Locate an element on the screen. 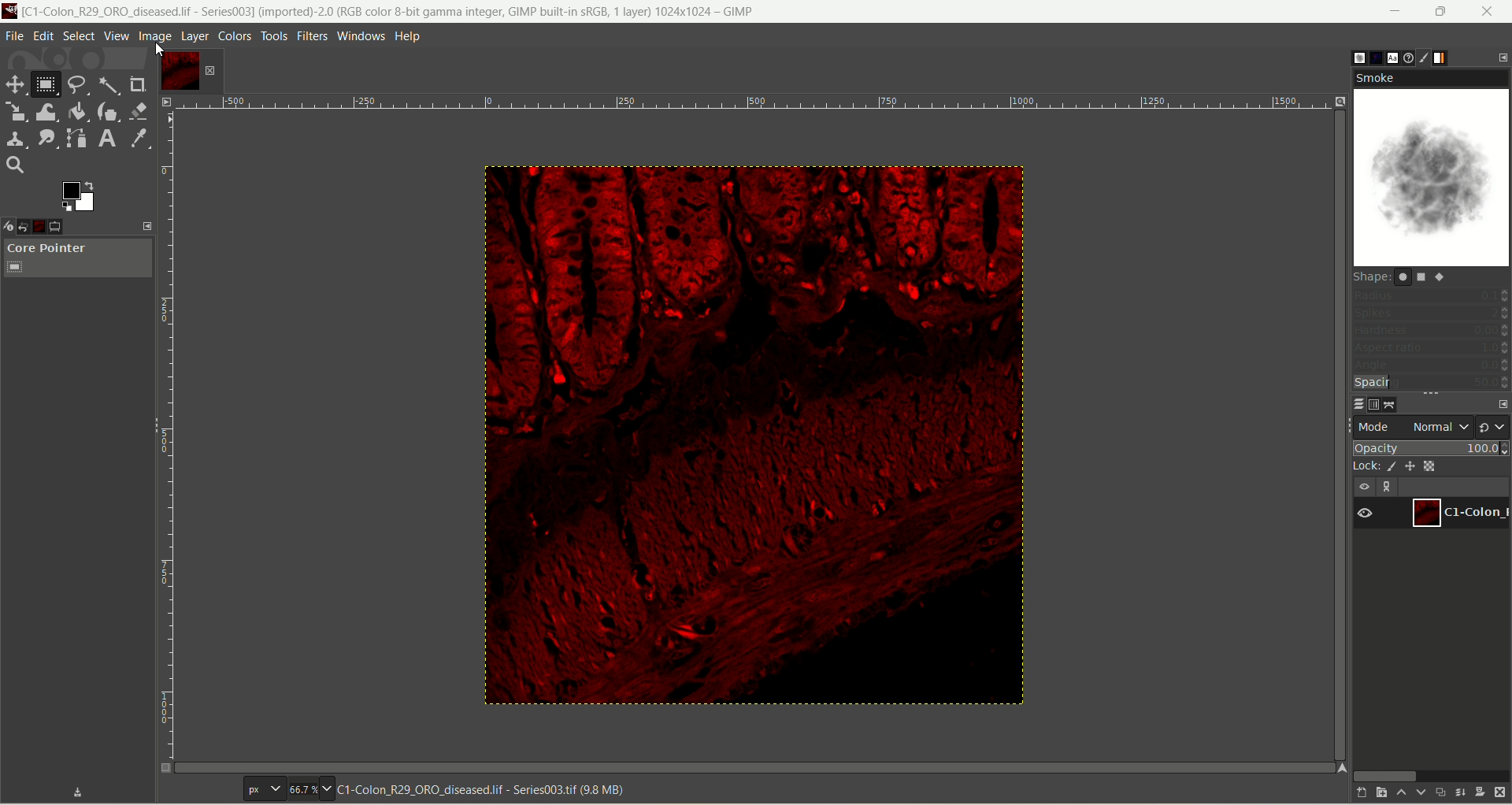 This screenshot has height=805, width=1512. layer1 is located at coordinates (189, 72).